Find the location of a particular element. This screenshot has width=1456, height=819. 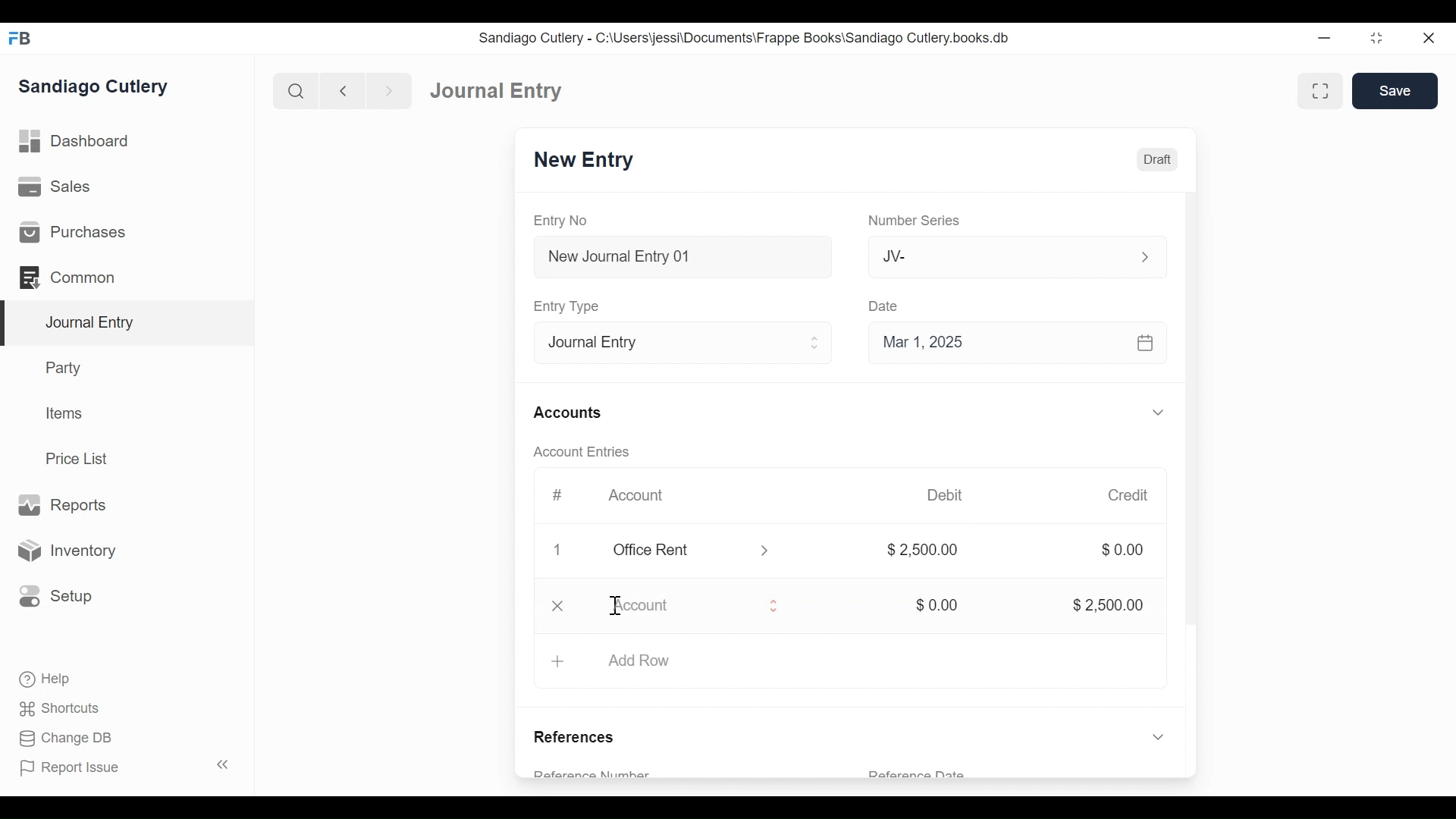

scrollbar is located at coordinates (1190, 426).